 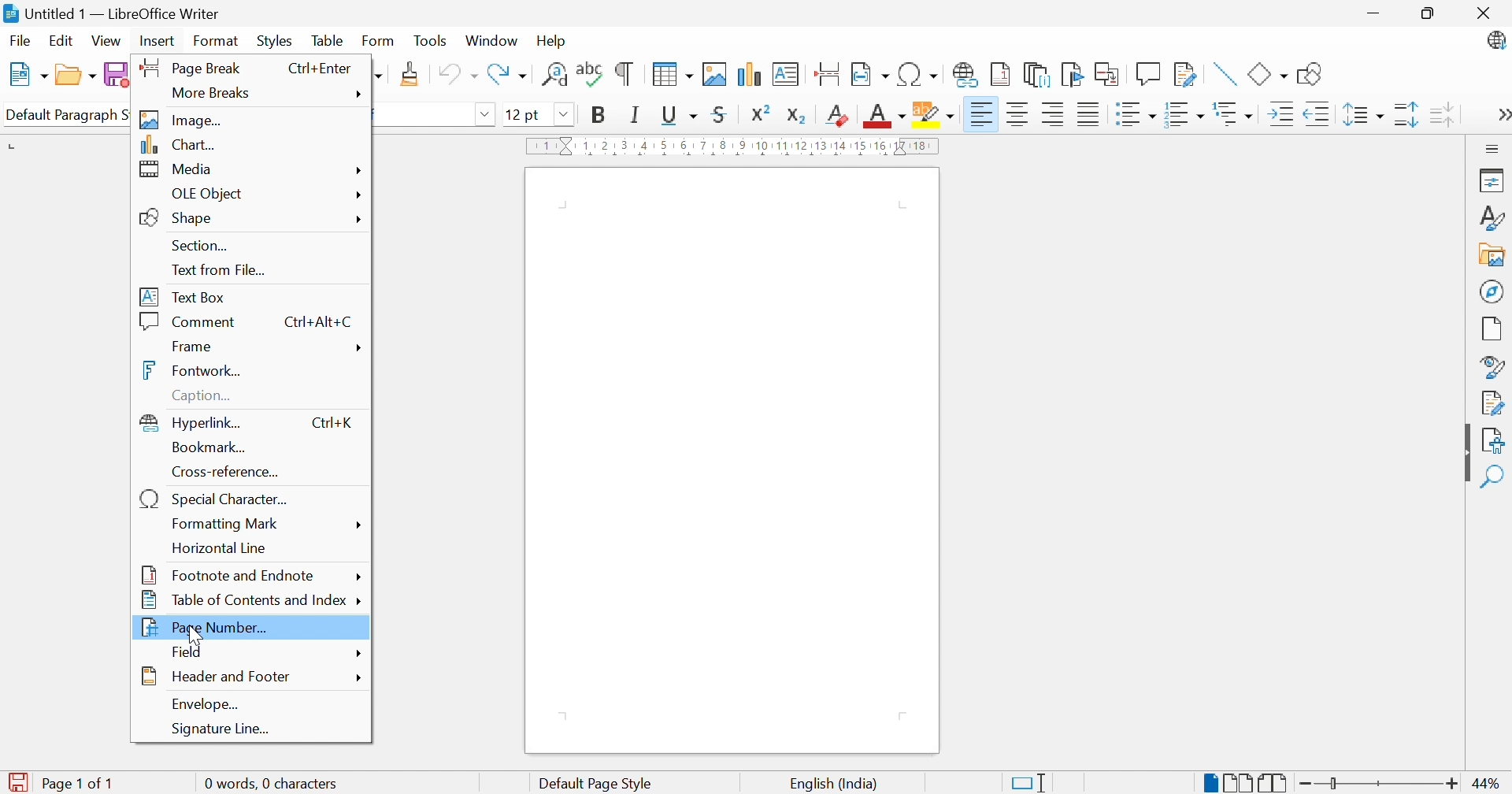 I want to click on Envelope..., so click(x=206, y=703).